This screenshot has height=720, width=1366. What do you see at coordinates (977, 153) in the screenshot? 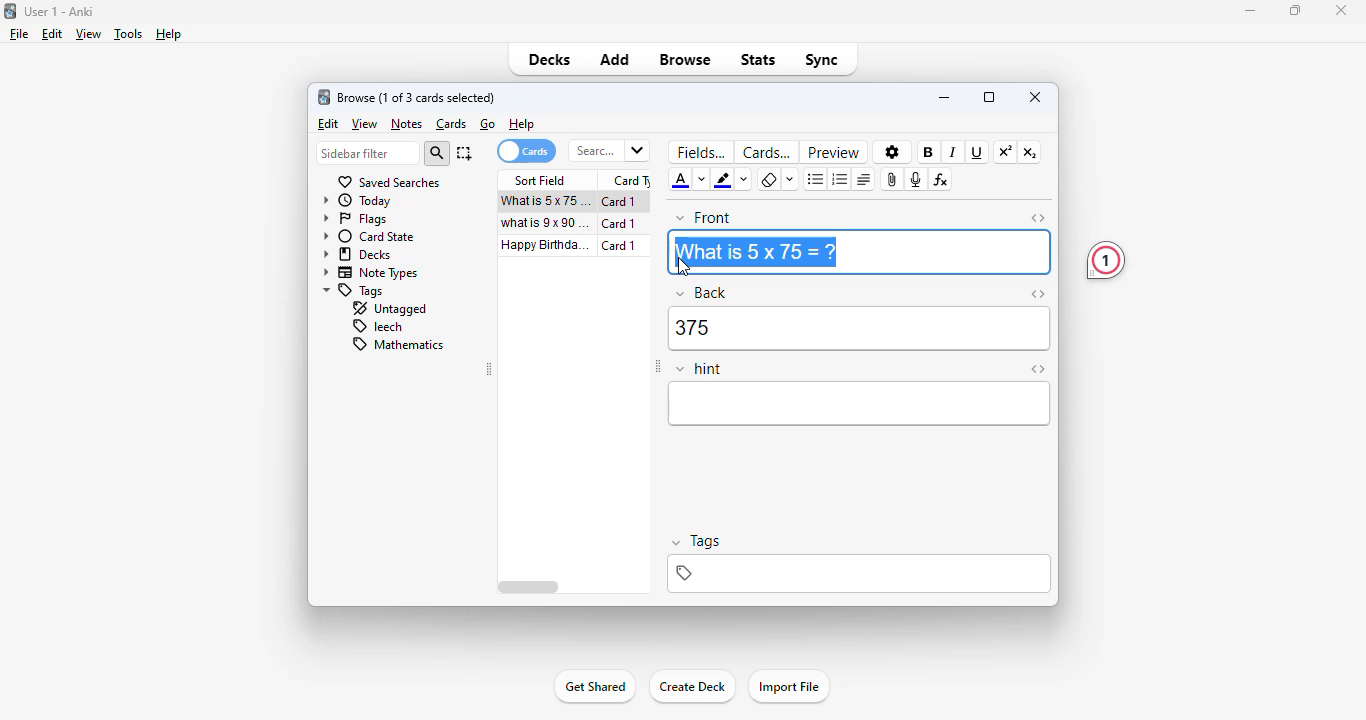
I see `underline` at bounding box center [977, 153].